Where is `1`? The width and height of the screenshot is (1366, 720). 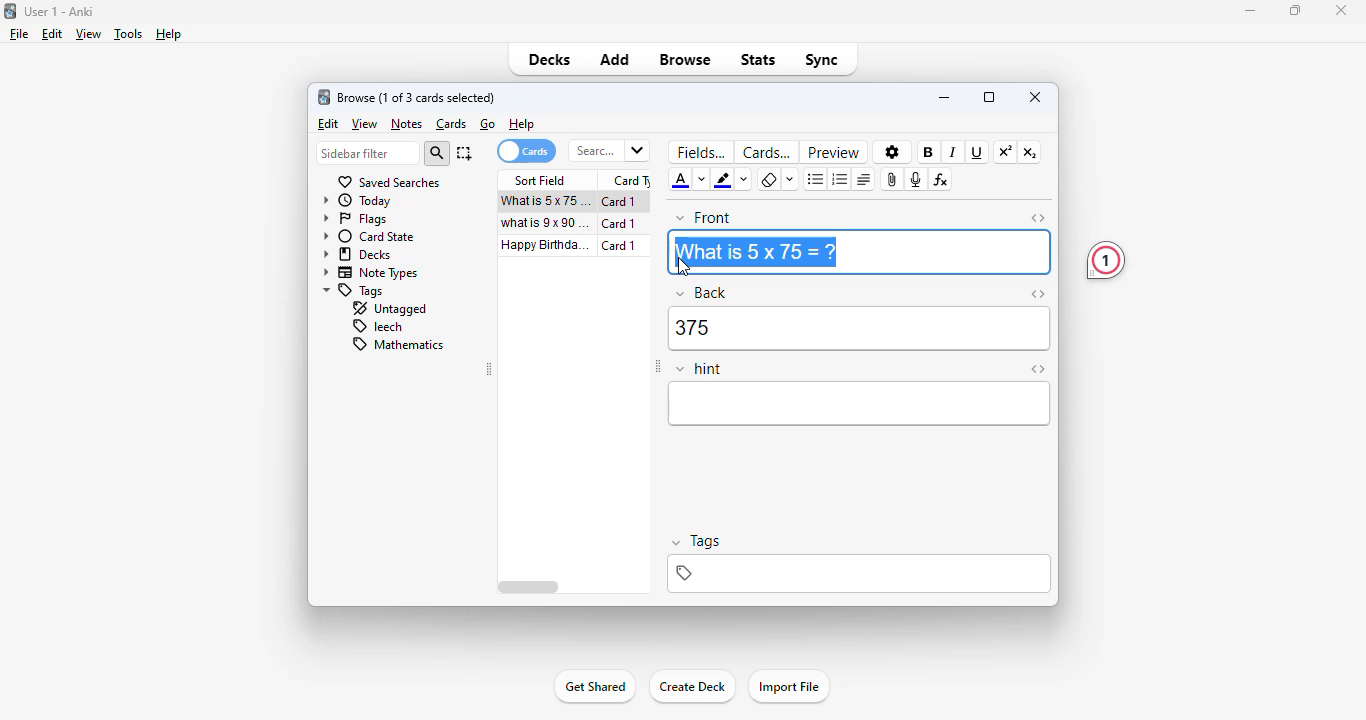 1 is located at coordinates (1106, 261).